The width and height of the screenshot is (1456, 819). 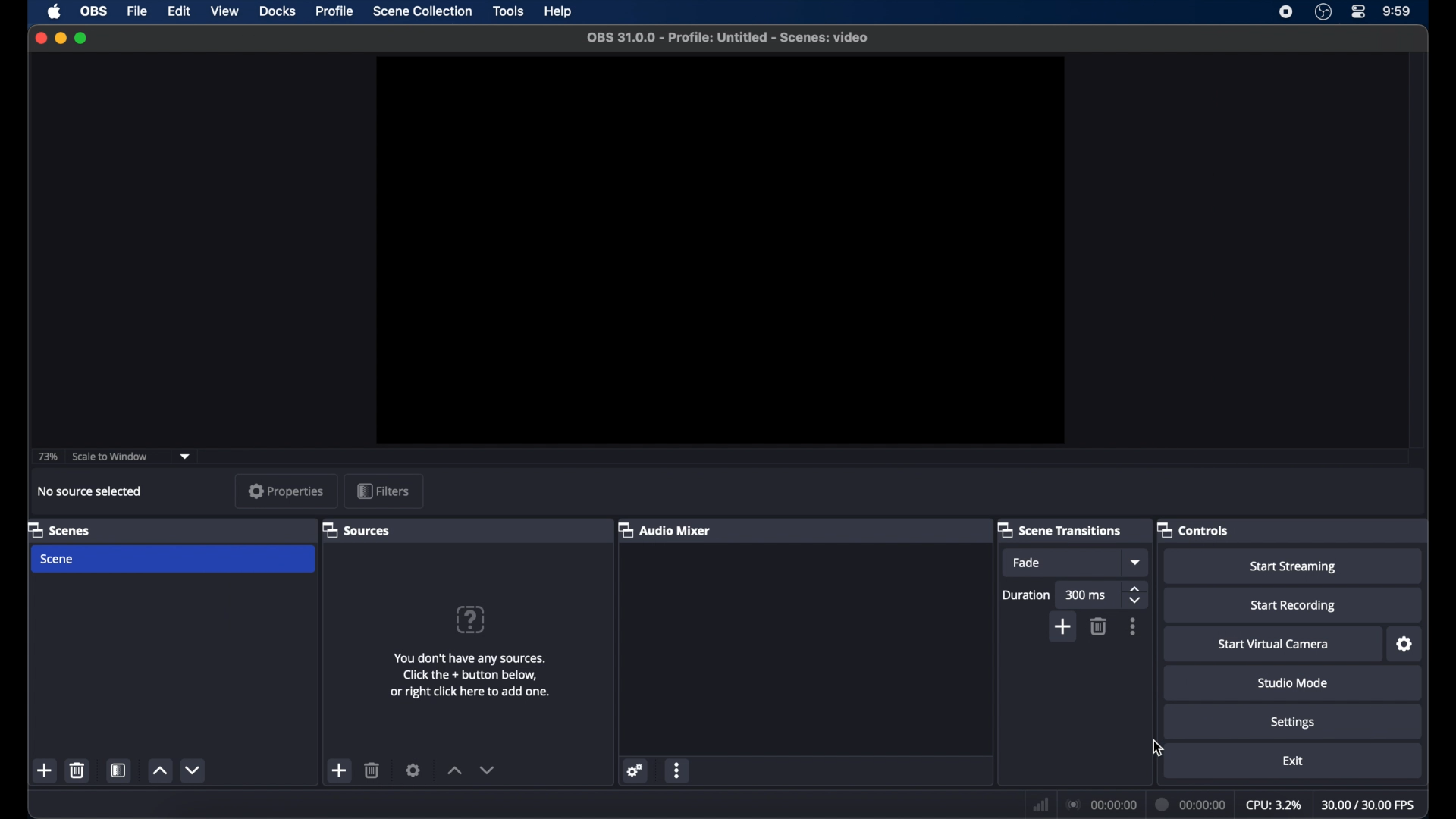 I want to click on no source selected , so click(x=89, y=491).